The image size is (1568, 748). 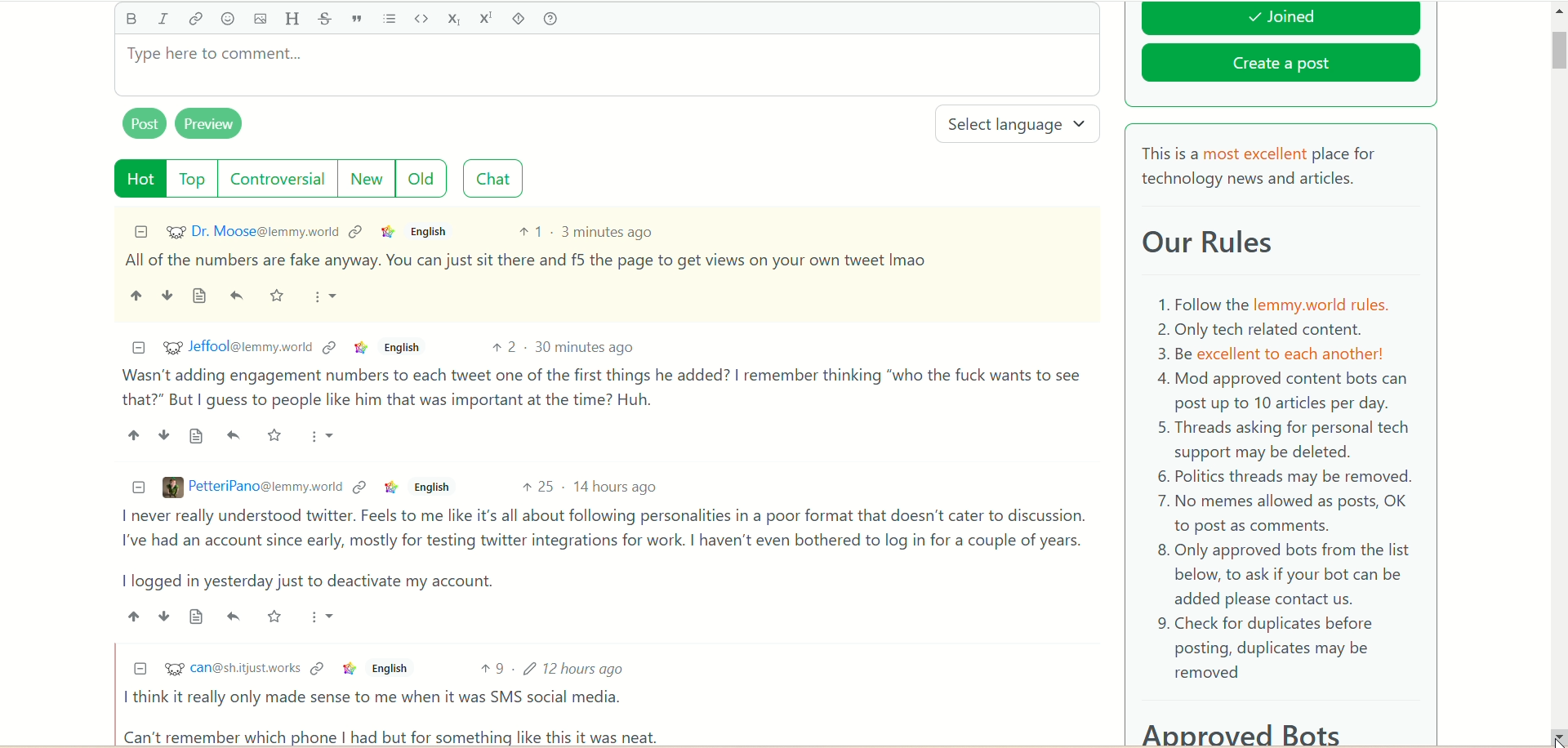 I want to click on Collapse, so click(x=138, y=349).